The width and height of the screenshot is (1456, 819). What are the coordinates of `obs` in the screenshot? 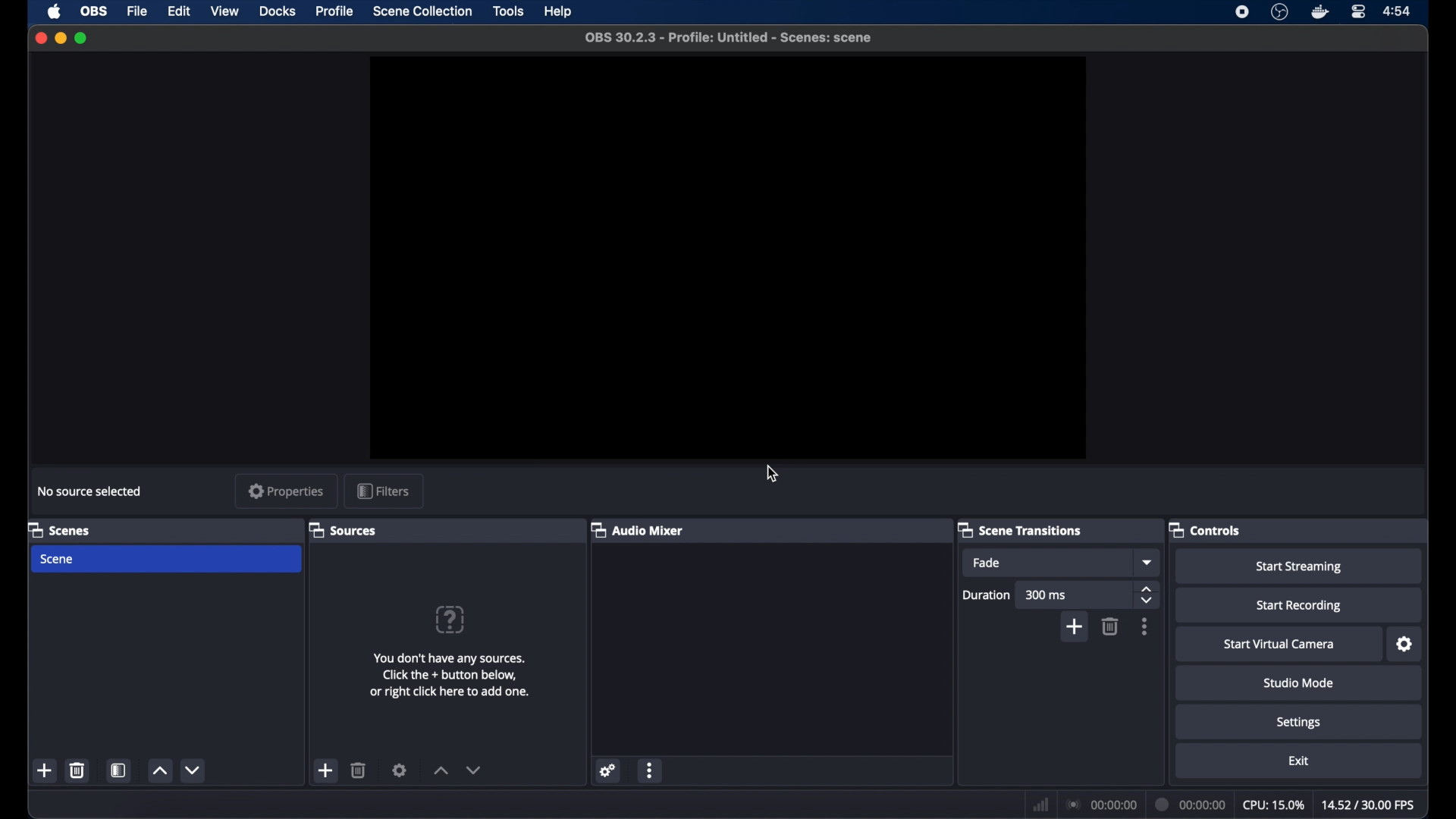 It's located at (94, 11).